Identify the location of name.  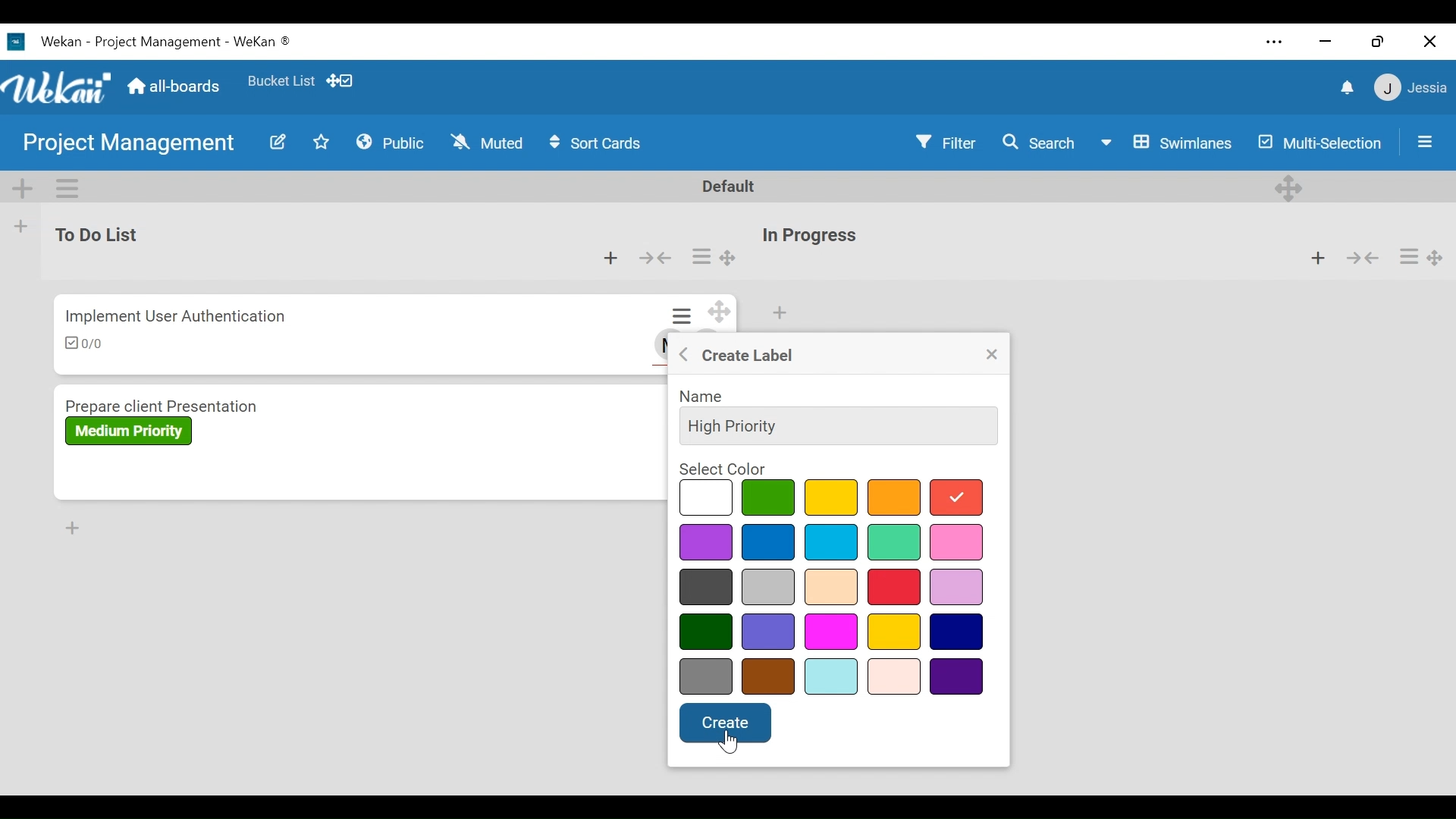
(711, 394).